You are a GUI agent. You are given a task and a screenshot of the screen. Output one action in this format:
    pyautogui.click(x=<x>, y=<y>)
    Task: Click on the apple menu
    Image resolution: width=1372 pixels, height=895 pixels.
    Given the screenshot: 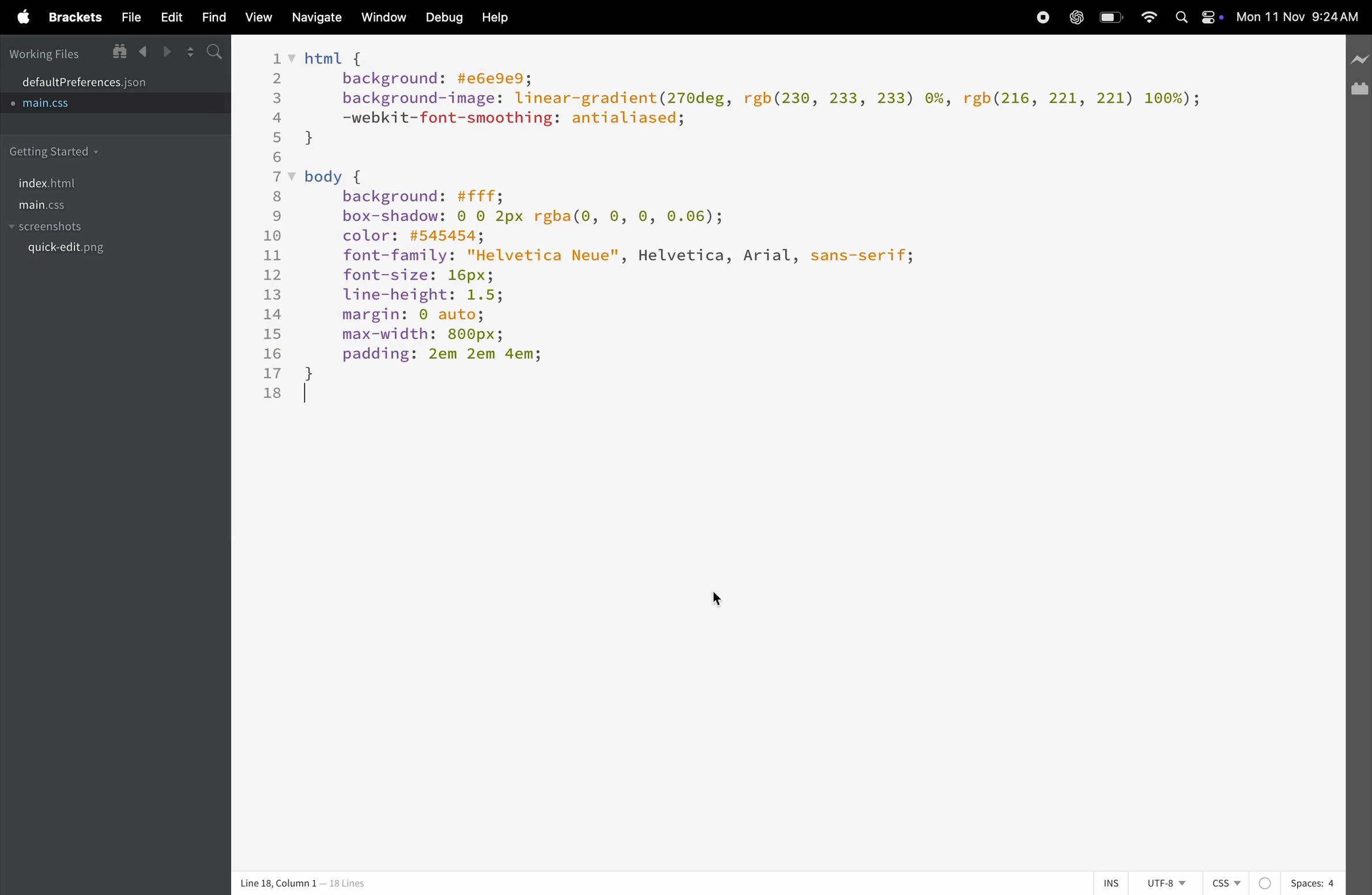 What is the action you would take?
    pyautogui.click(x=17, y=16)
    